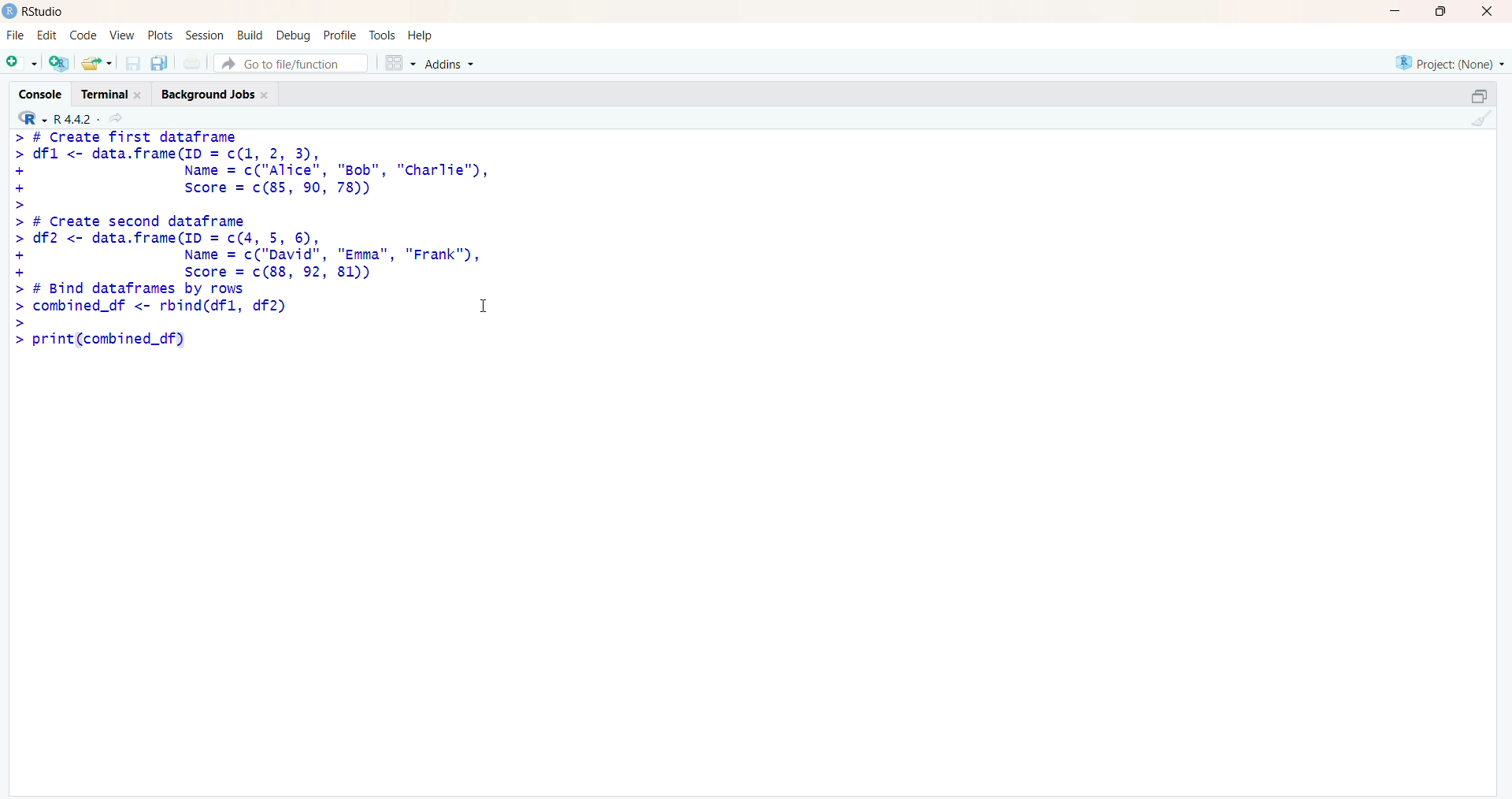  I want to click on View, so click(119, 35).